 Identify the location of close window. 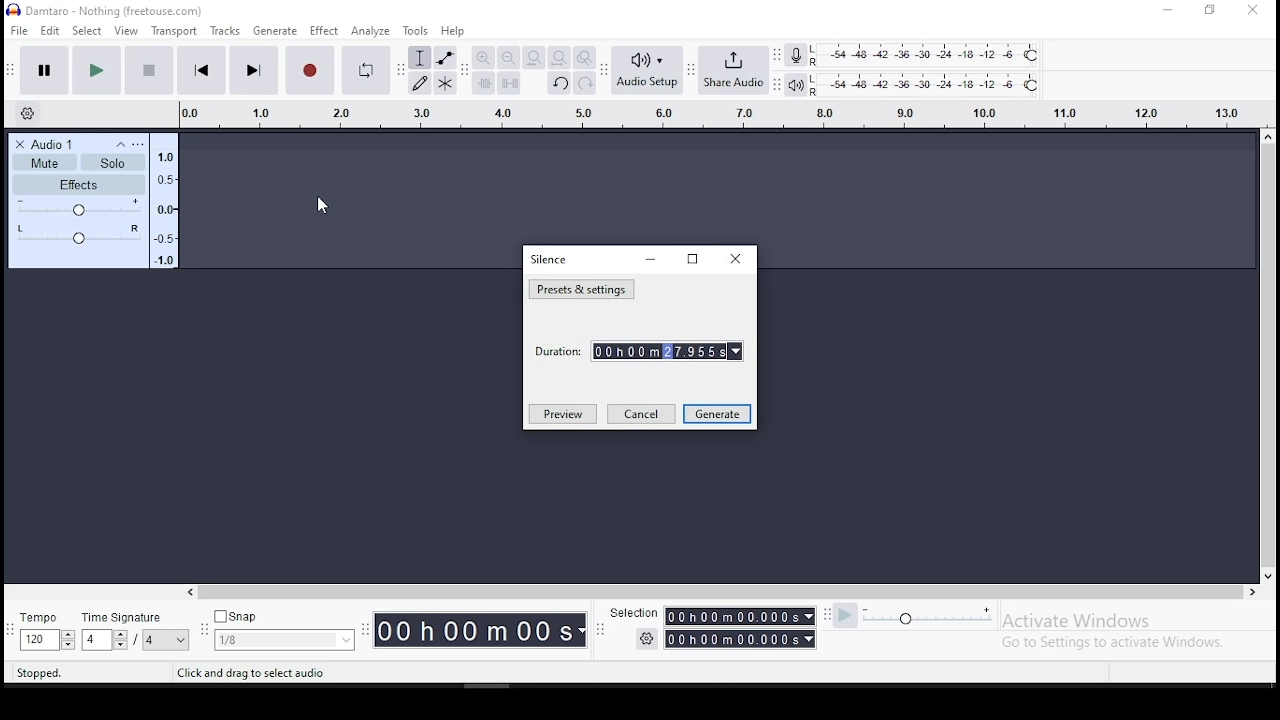
(738, 258).